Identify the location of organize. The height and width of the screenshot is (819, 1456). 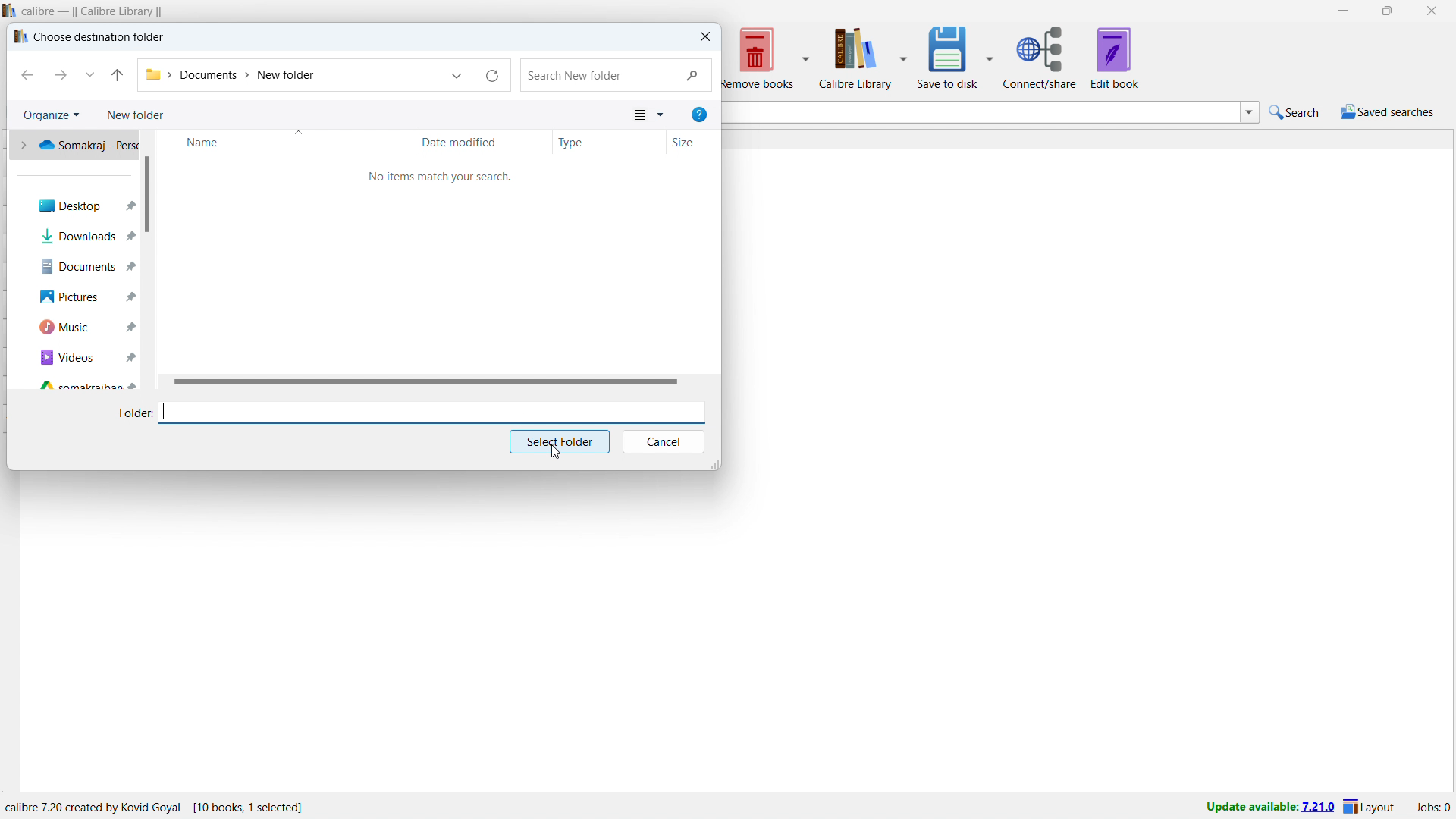
(51, 115).